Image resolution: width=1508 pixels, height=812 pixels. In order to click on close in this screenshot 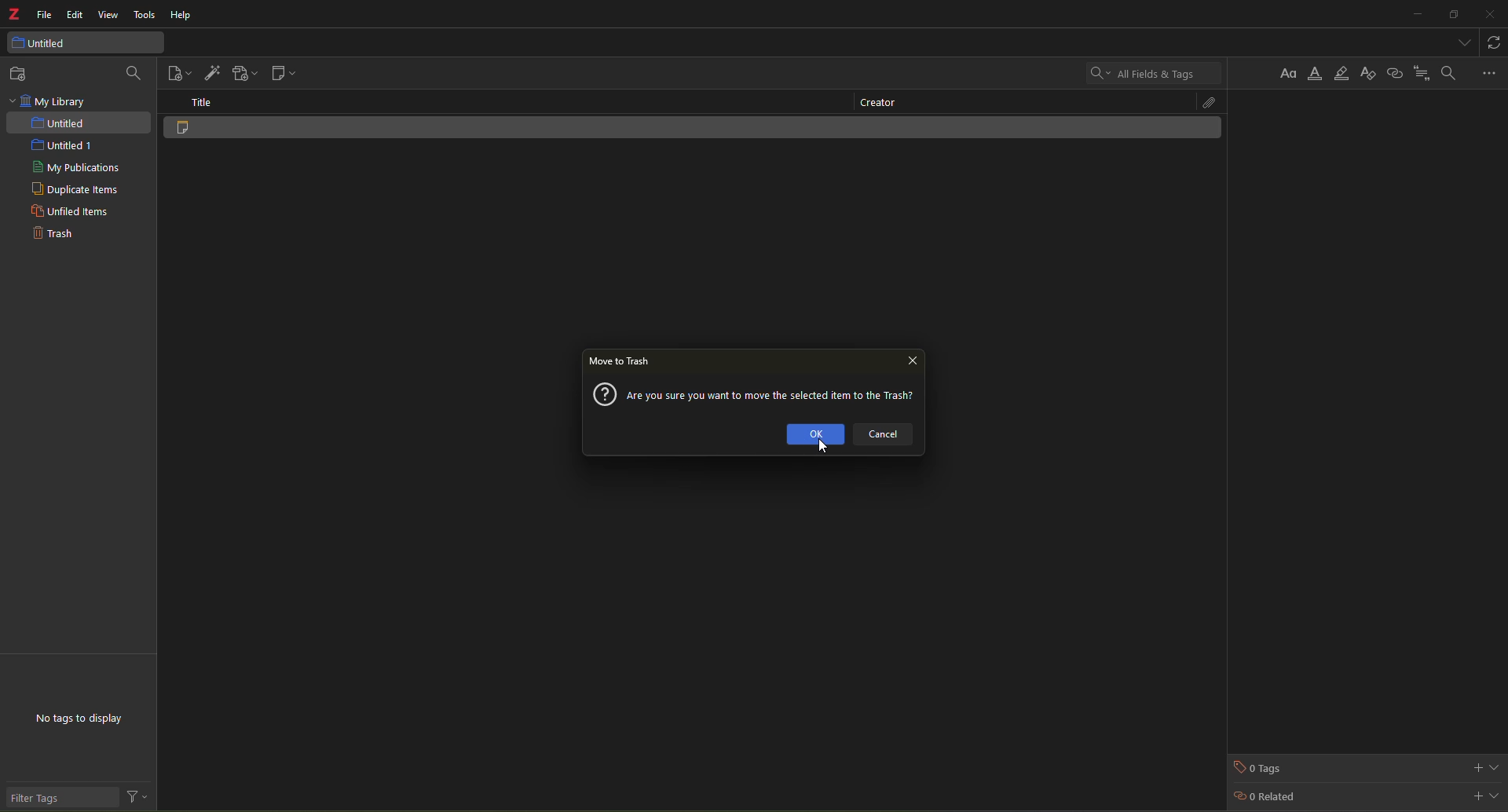, I will do `click(913, 362)`.